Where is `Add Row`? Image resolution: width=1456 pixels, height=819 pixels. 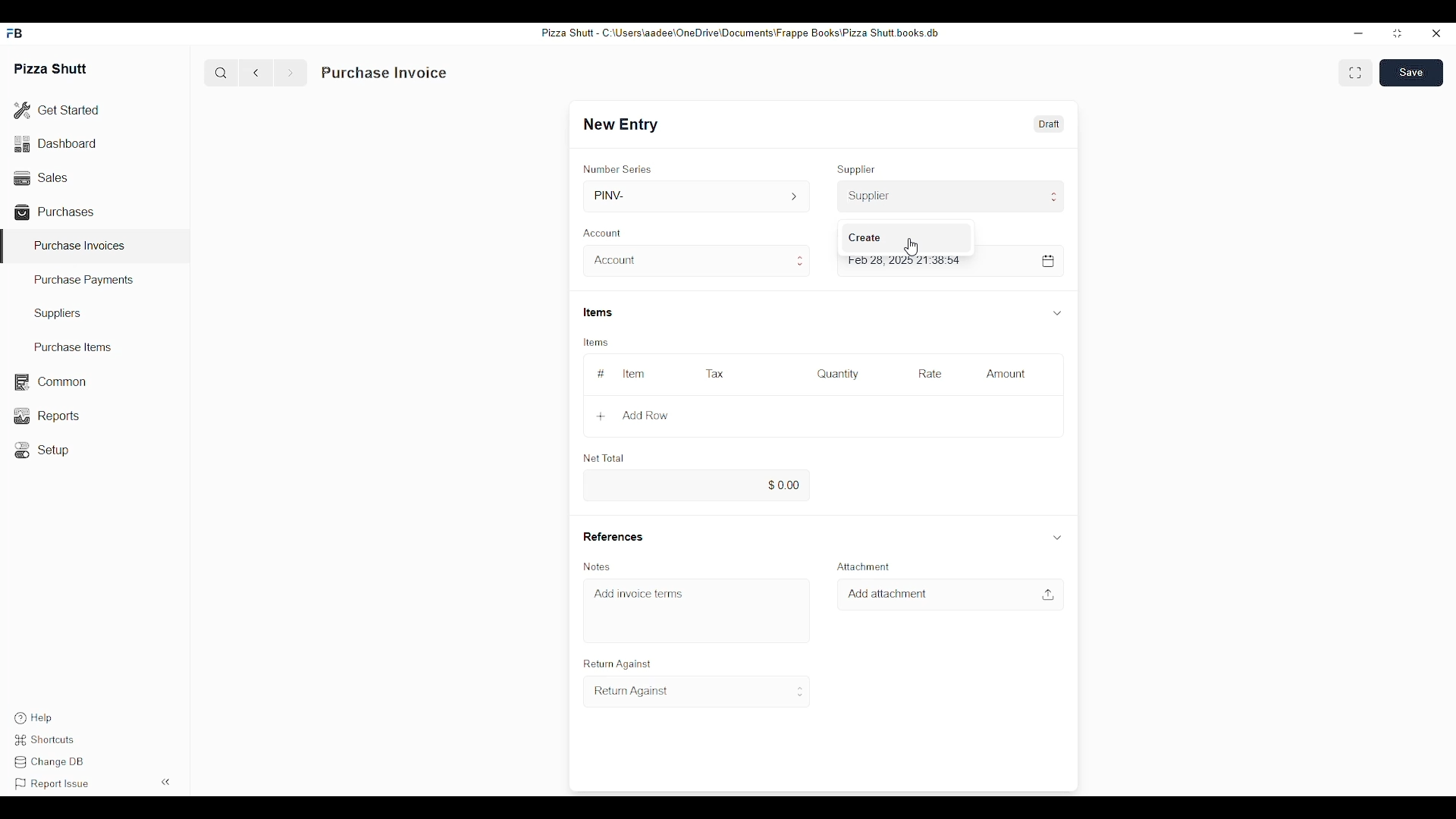
Add Row is located at coordinates (639, 416).